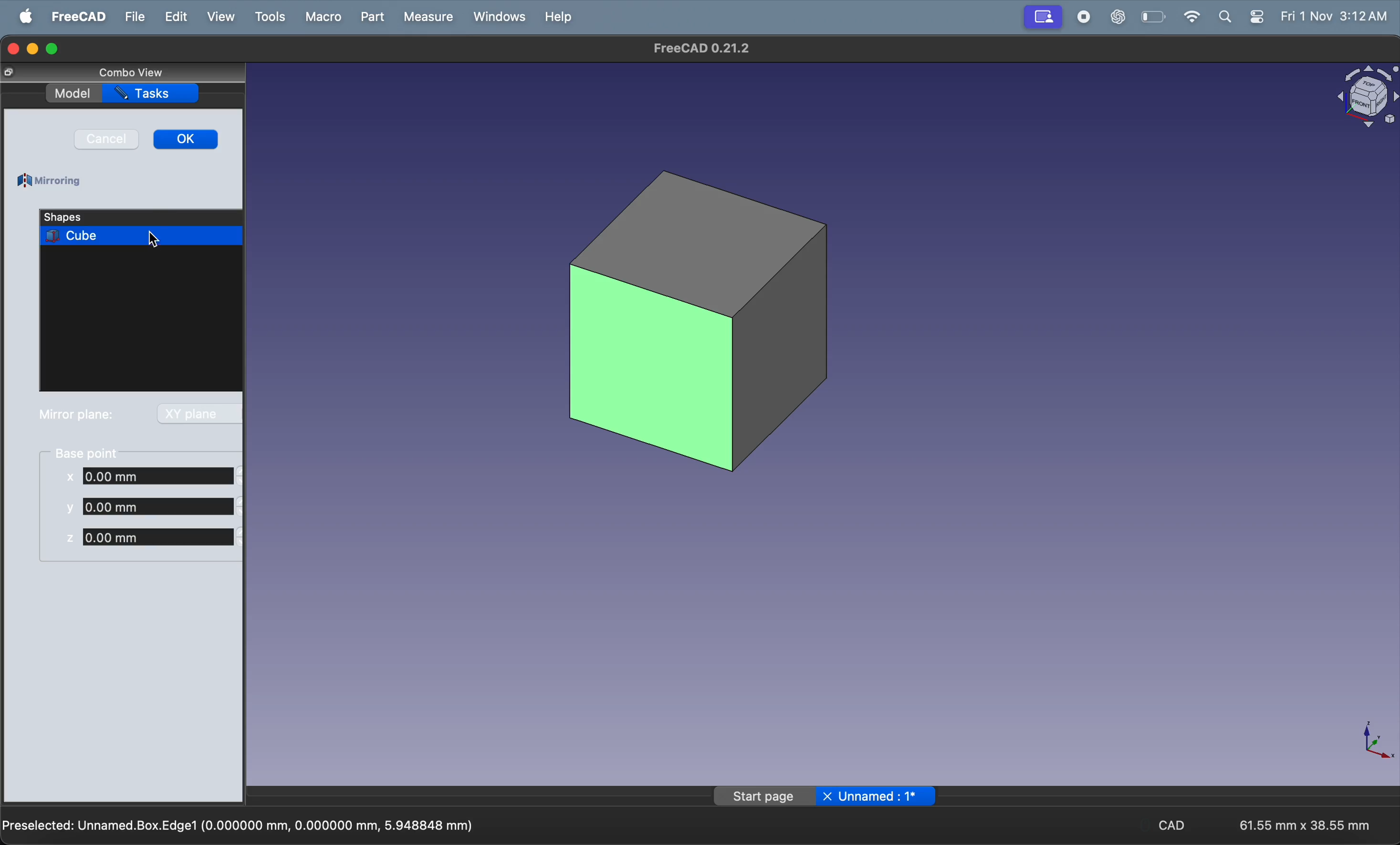 This screenshot has height=845, width=1400. What do you see at coordinates (132, 17) in the screenshot?
I see `file` at bounding box center [132, 17].